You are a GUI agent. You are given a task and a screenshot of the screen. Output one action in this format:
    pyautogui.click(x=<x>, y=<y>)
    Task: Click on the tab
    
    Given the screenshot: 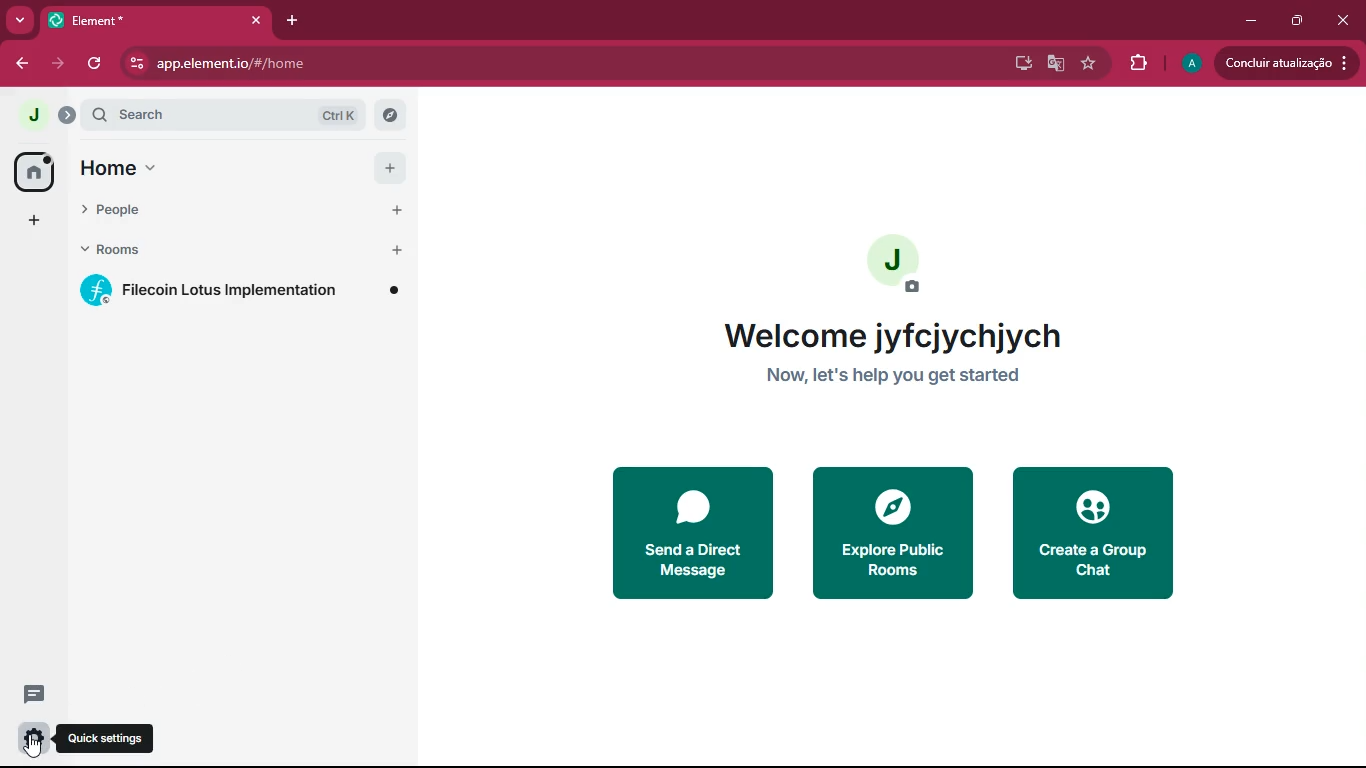 What is the action you would take?
    pyautogui.click(x=99, y=20)
    